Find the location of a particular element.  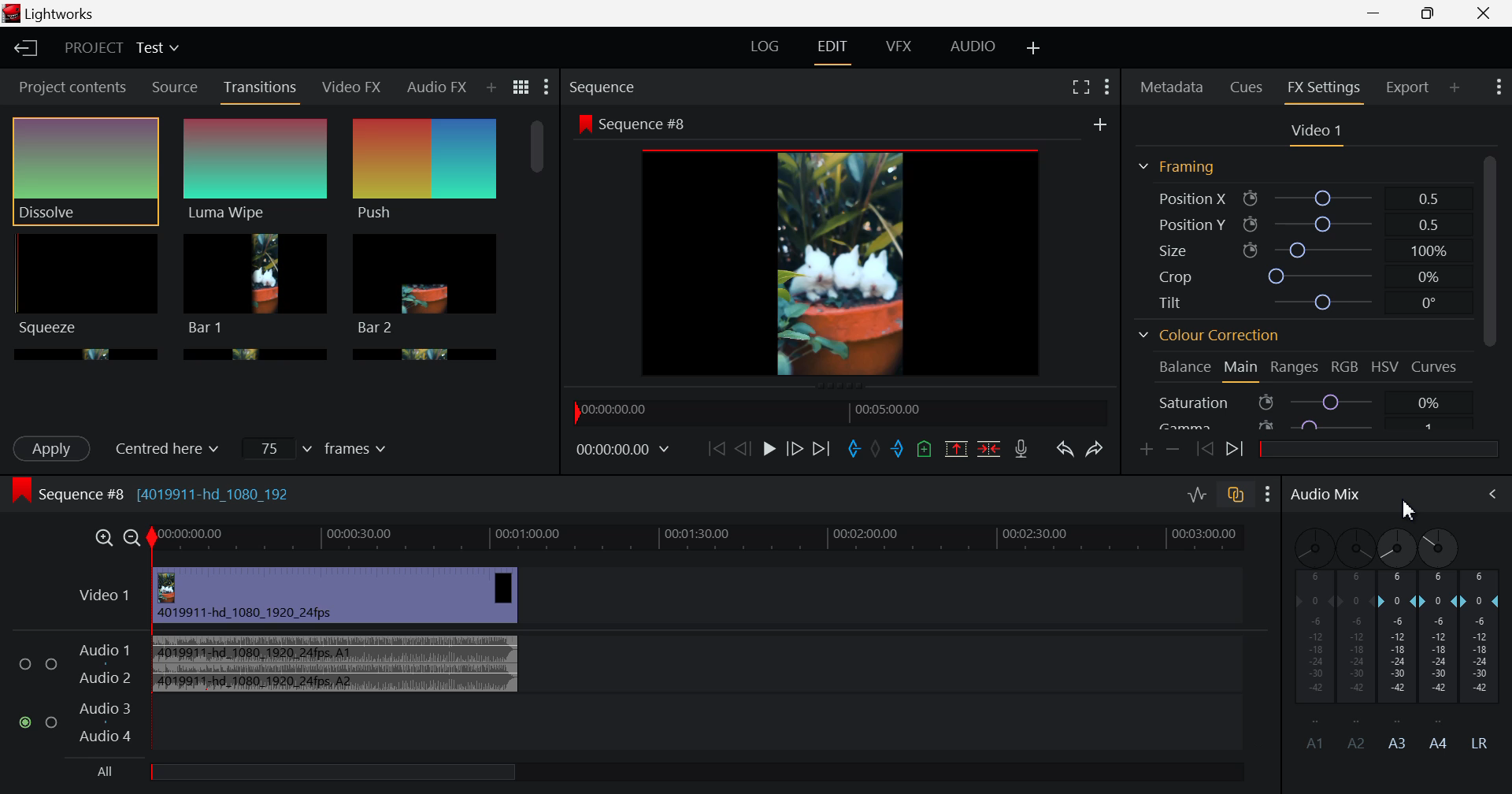

Centered here is located at coordinates (174, 447).